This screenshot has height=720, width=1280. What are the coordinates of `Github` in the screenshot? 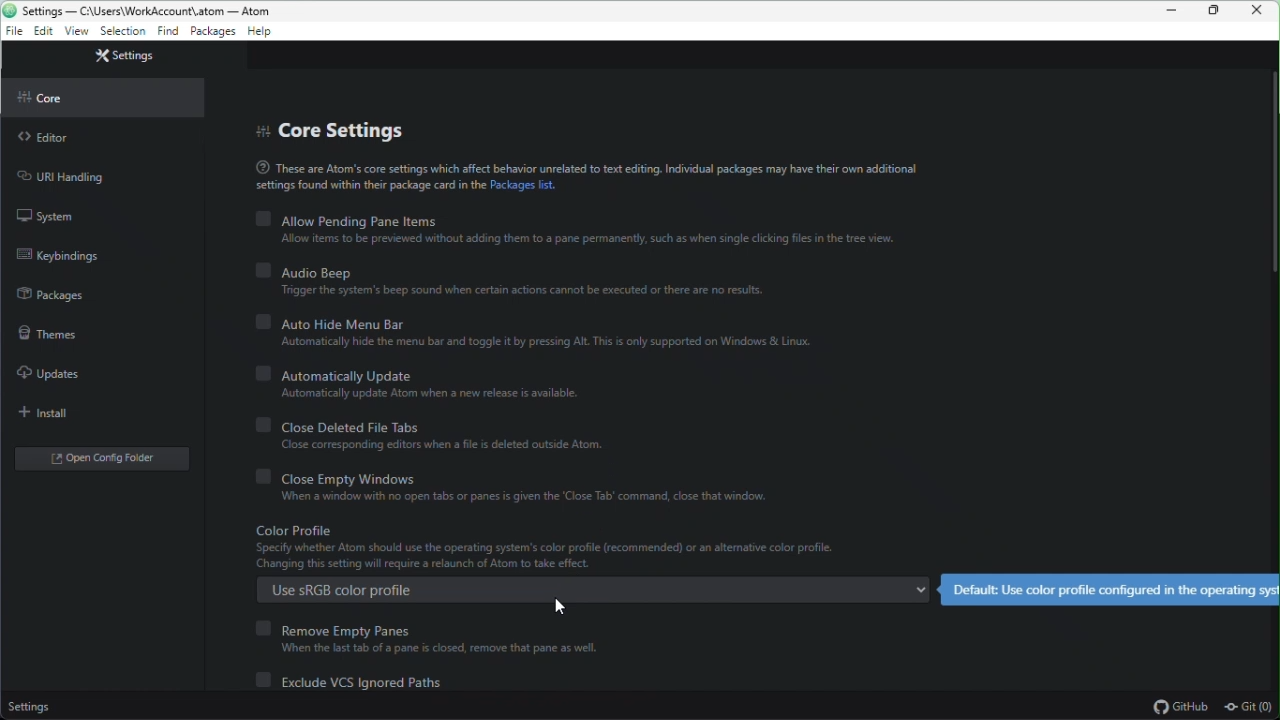 It's located at (1179, 707).